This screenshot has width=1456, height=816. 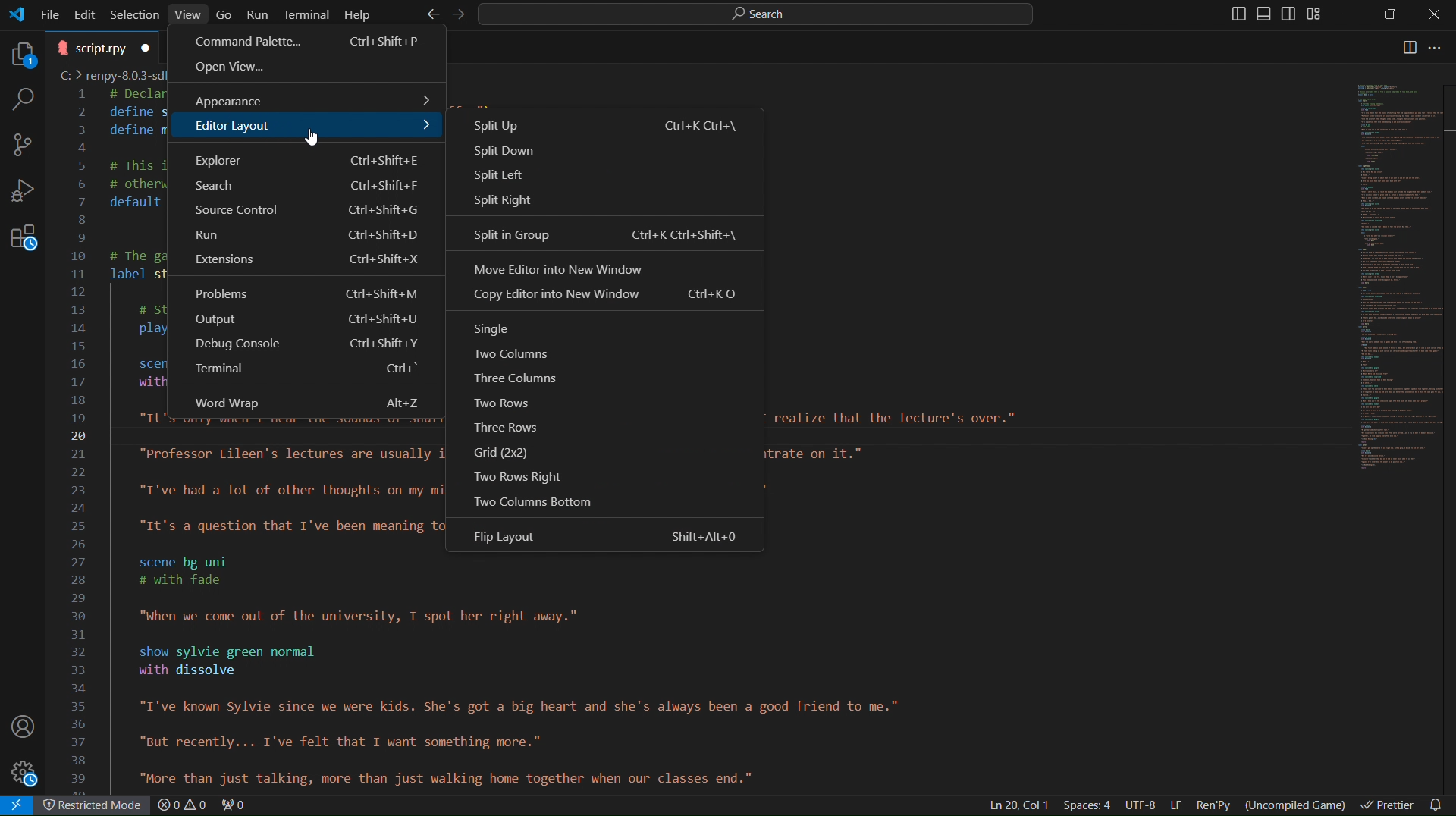 What do you see at coordinates (517, 428) in the screenshot?
I see `Three Rows` at bounding box center [517, 428].